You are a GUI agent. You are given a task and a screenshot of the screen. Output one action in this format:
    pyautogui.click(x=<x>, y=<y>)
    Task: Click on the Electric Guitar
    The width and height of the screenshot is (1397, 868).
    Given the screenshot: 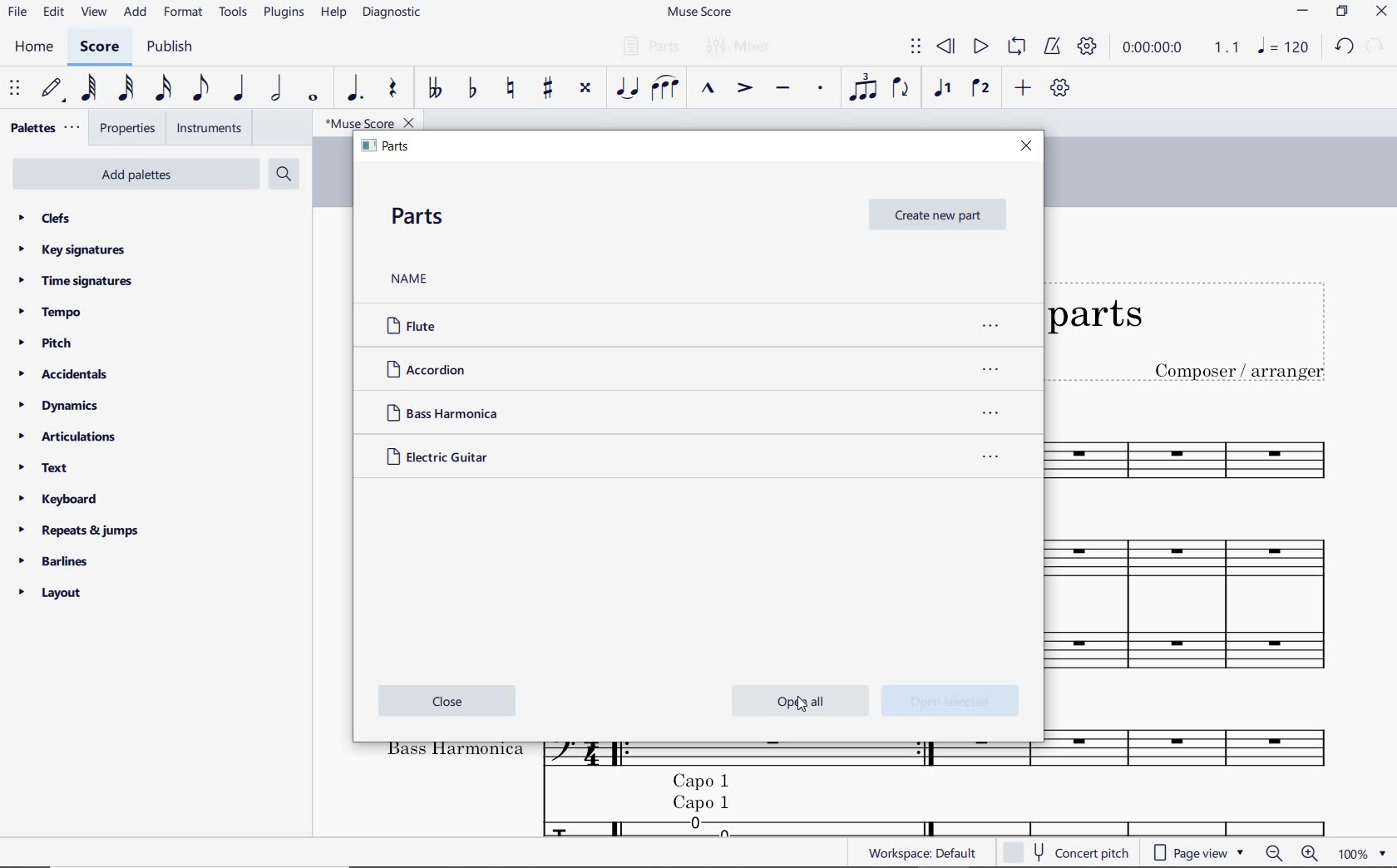 What is the action you would take?
    pyautogui.click(x=708, y=460)
    